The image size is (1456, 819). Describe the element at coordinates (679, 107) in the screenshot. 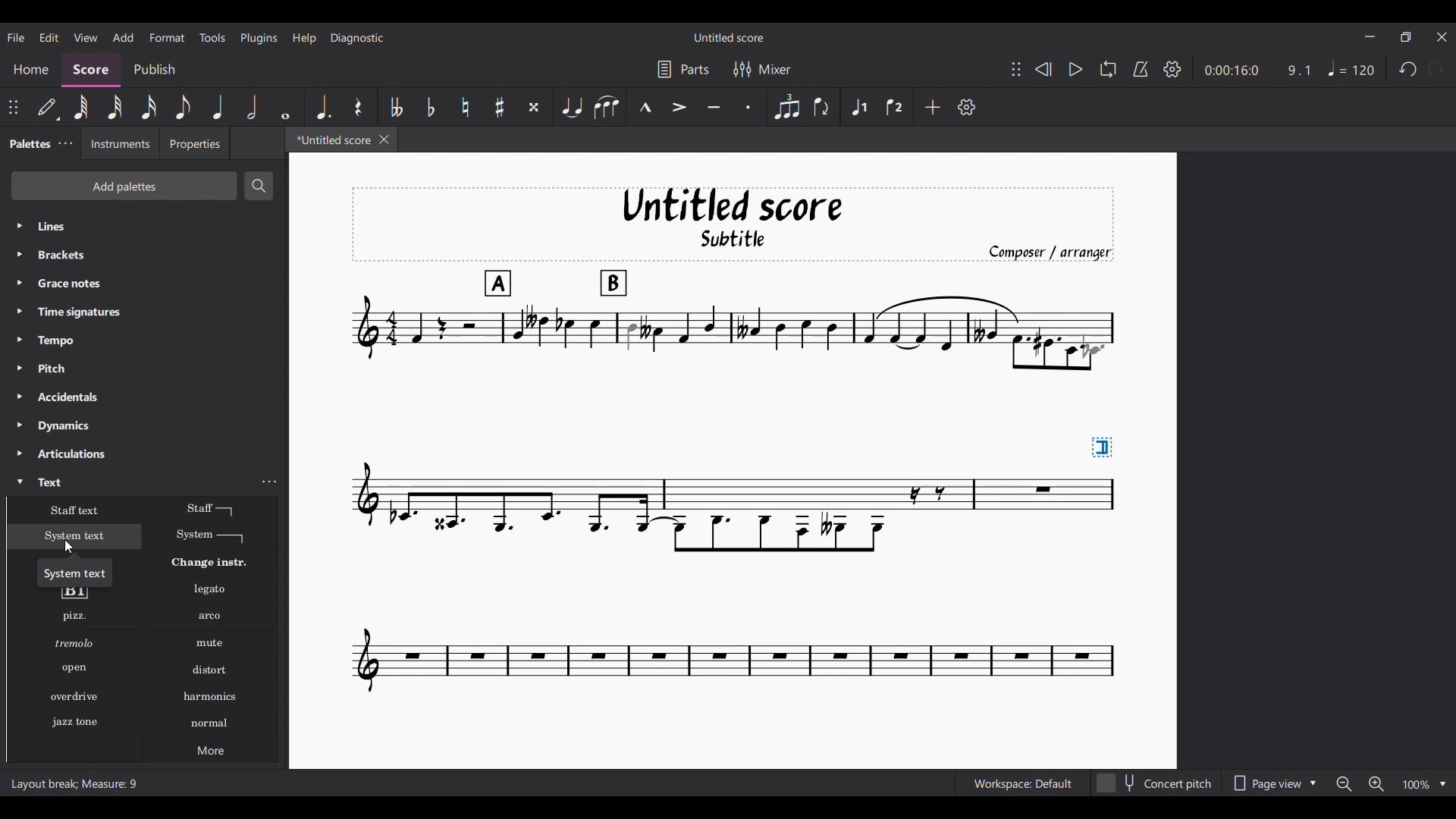

I see `Accent` at that location.